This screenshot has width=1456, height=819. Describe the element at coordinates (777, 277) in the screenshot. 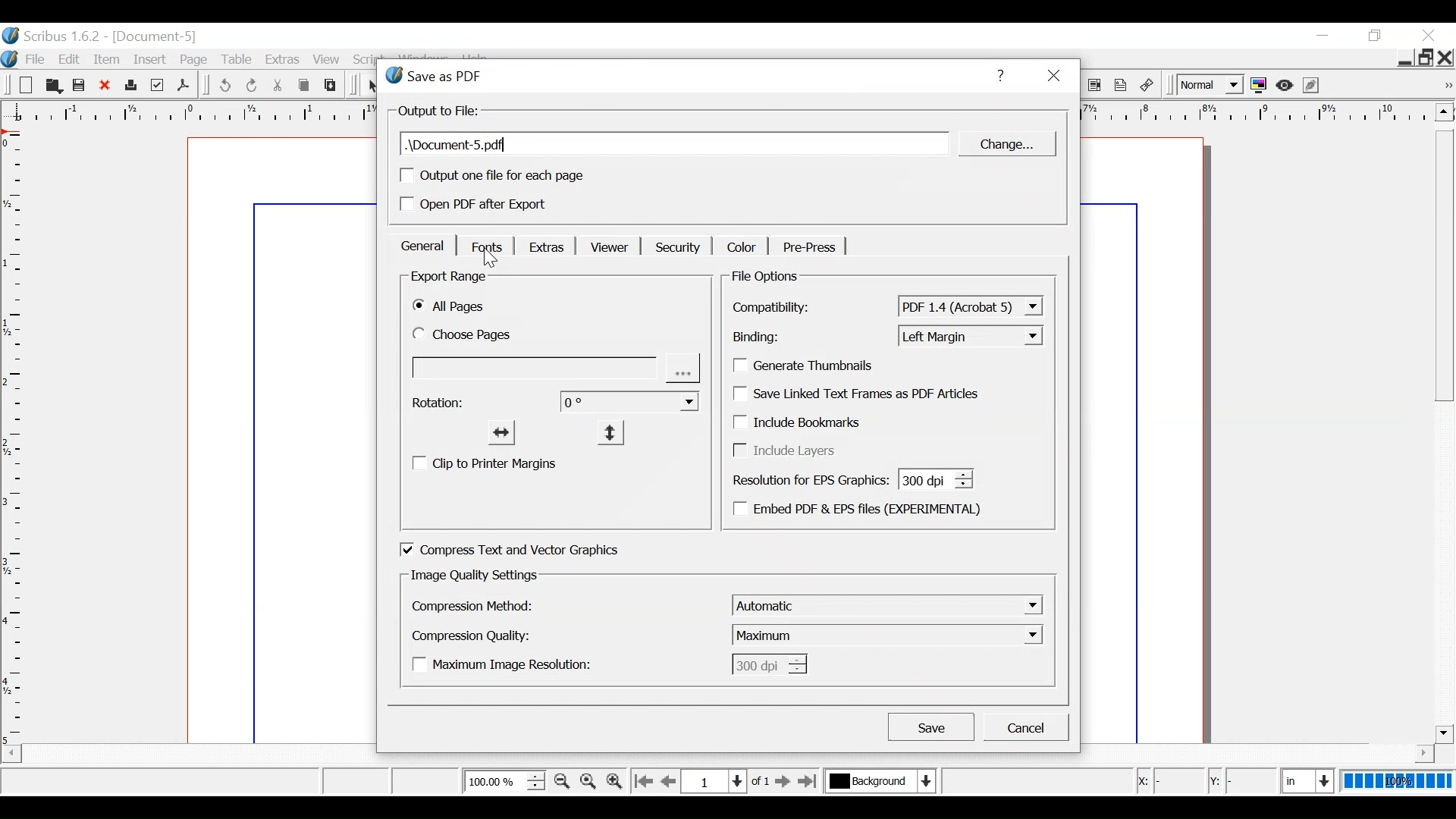

I see `File positions` at that location.